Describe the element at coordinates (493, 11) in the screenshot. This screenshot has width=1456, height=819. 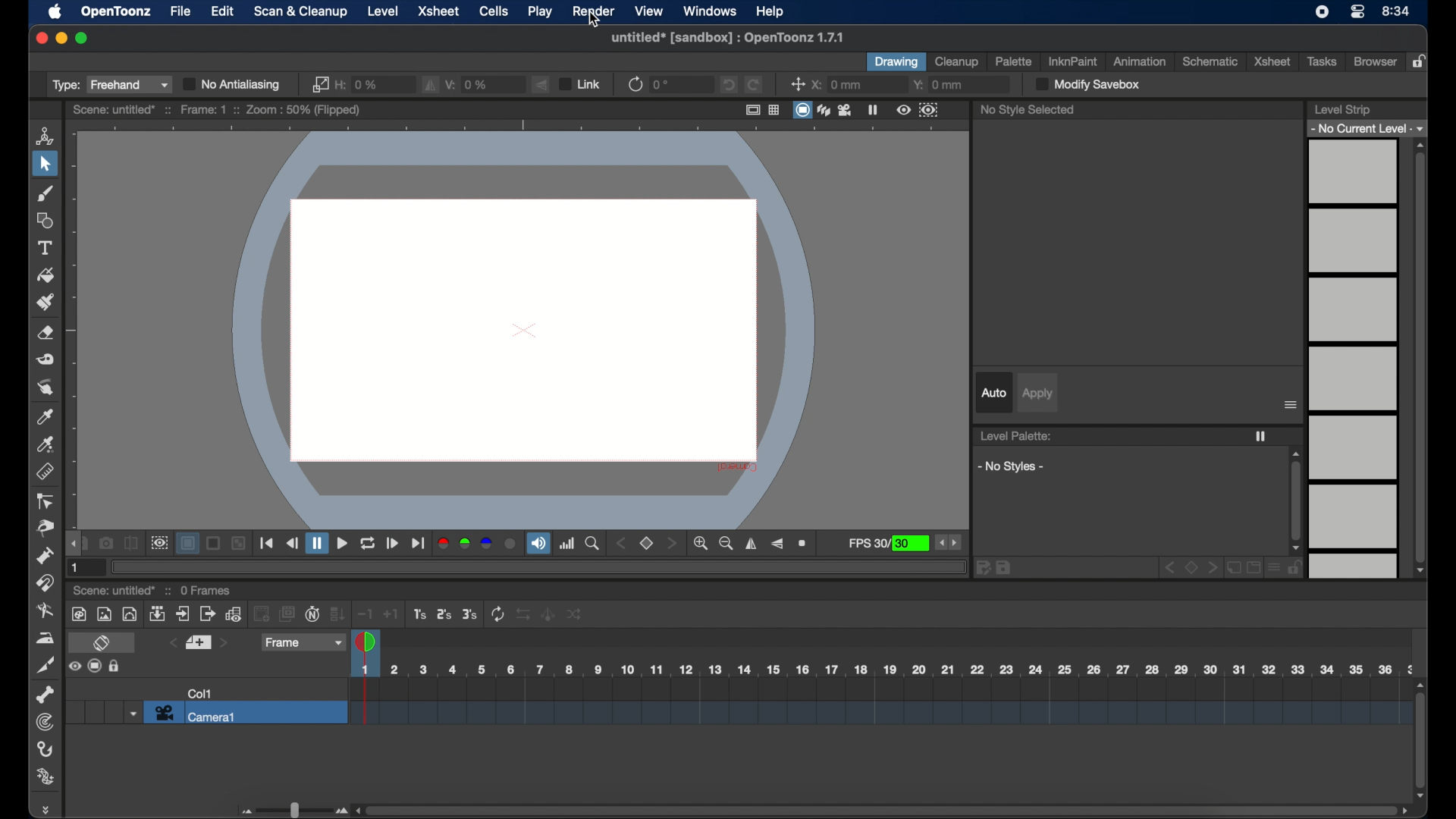
I see `cells` at that location.